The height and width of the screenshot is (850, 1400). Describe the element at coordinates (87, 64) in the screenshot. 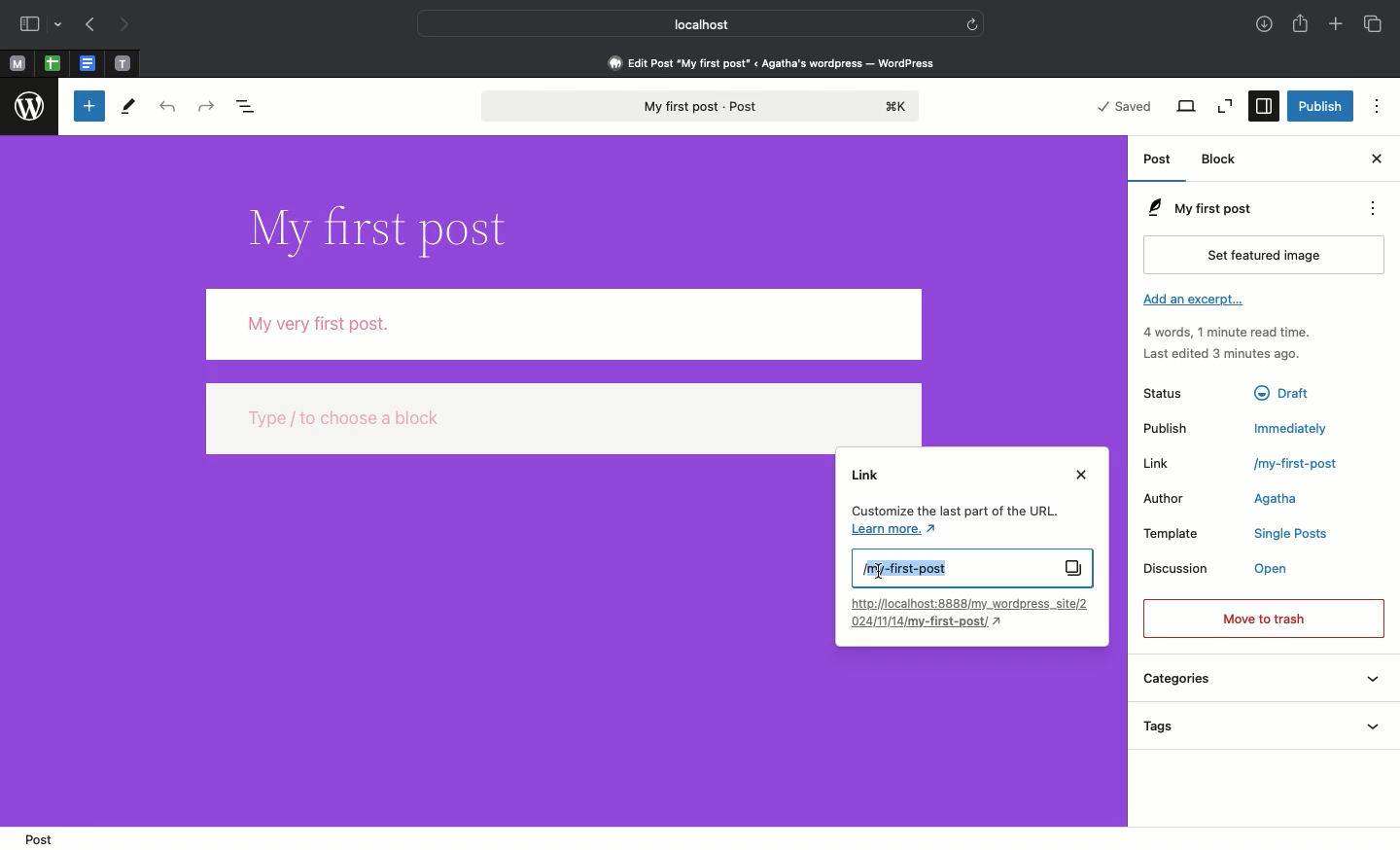

I see `pinned tabs` at that location.